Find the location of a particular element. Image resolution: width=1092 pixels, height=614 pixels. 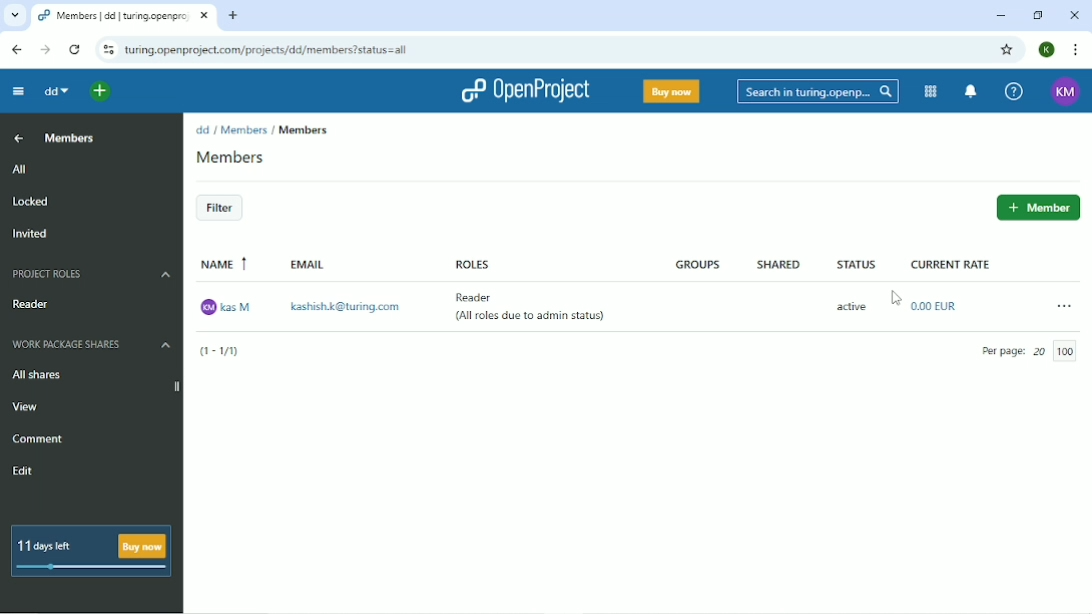

View is located at coordinates (28, 407).